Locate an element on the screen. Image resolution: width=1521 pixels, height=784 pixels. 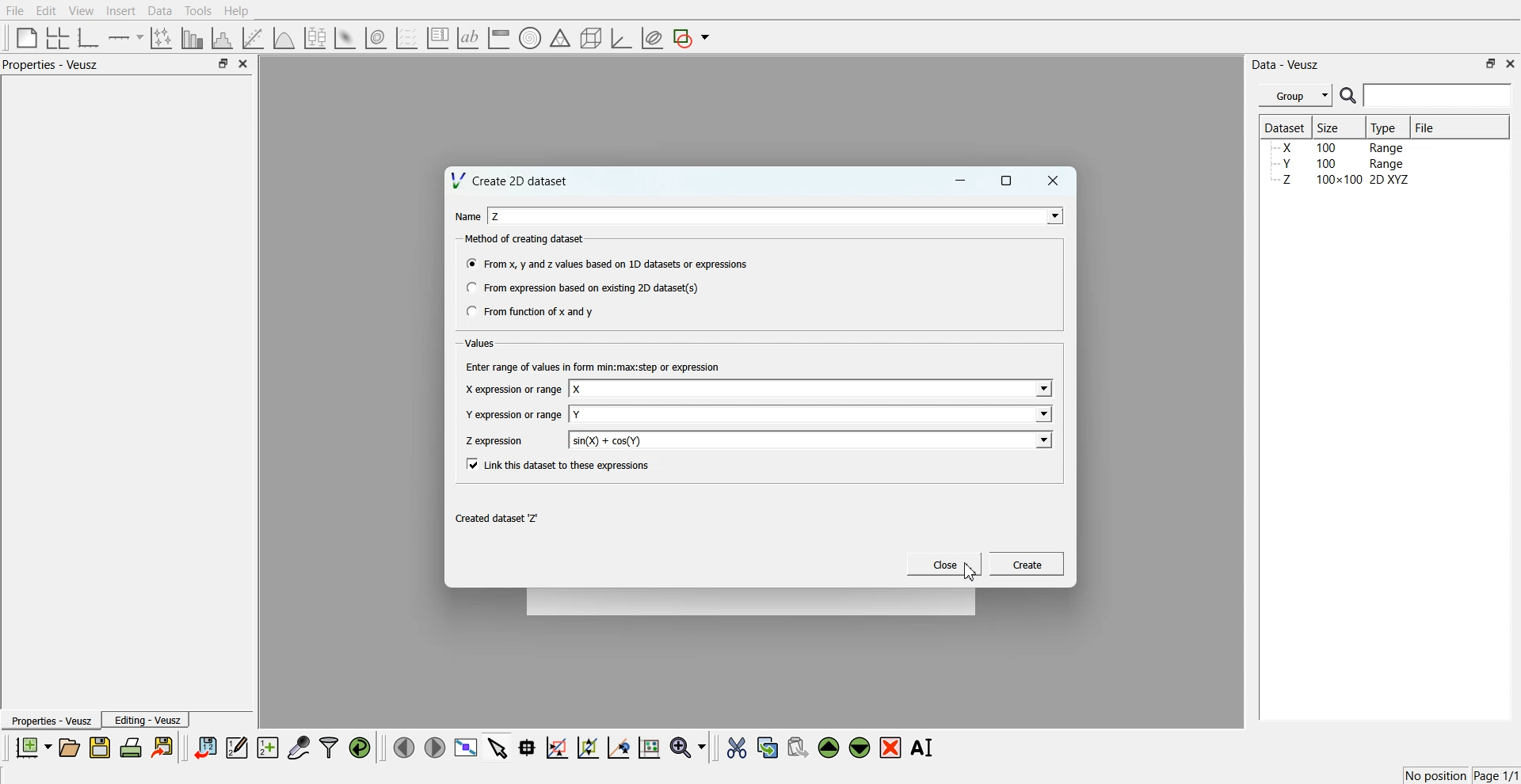
Type is located at coordinates (1386, 127).